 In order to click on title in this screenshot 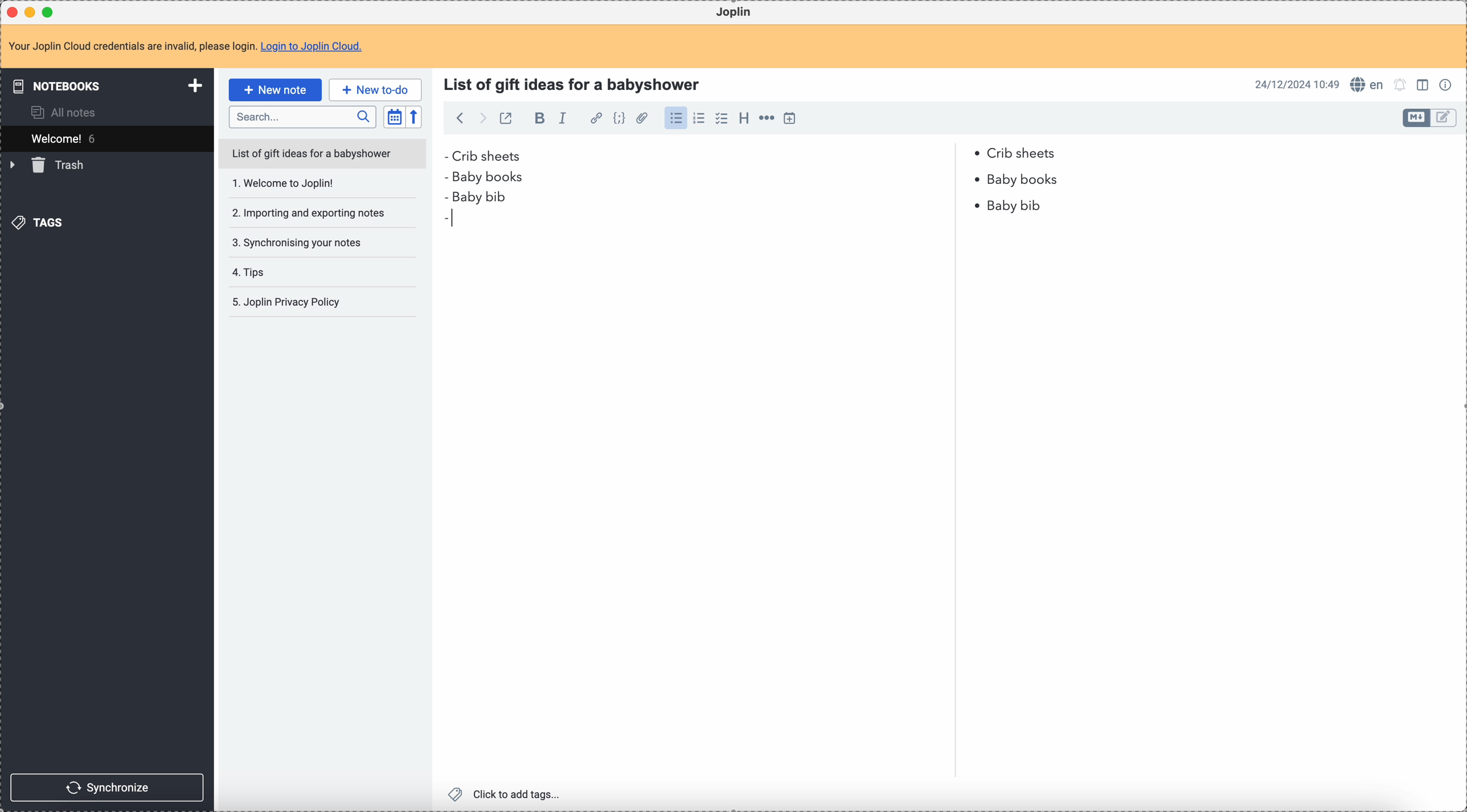, I will do `click(575, 83)`.